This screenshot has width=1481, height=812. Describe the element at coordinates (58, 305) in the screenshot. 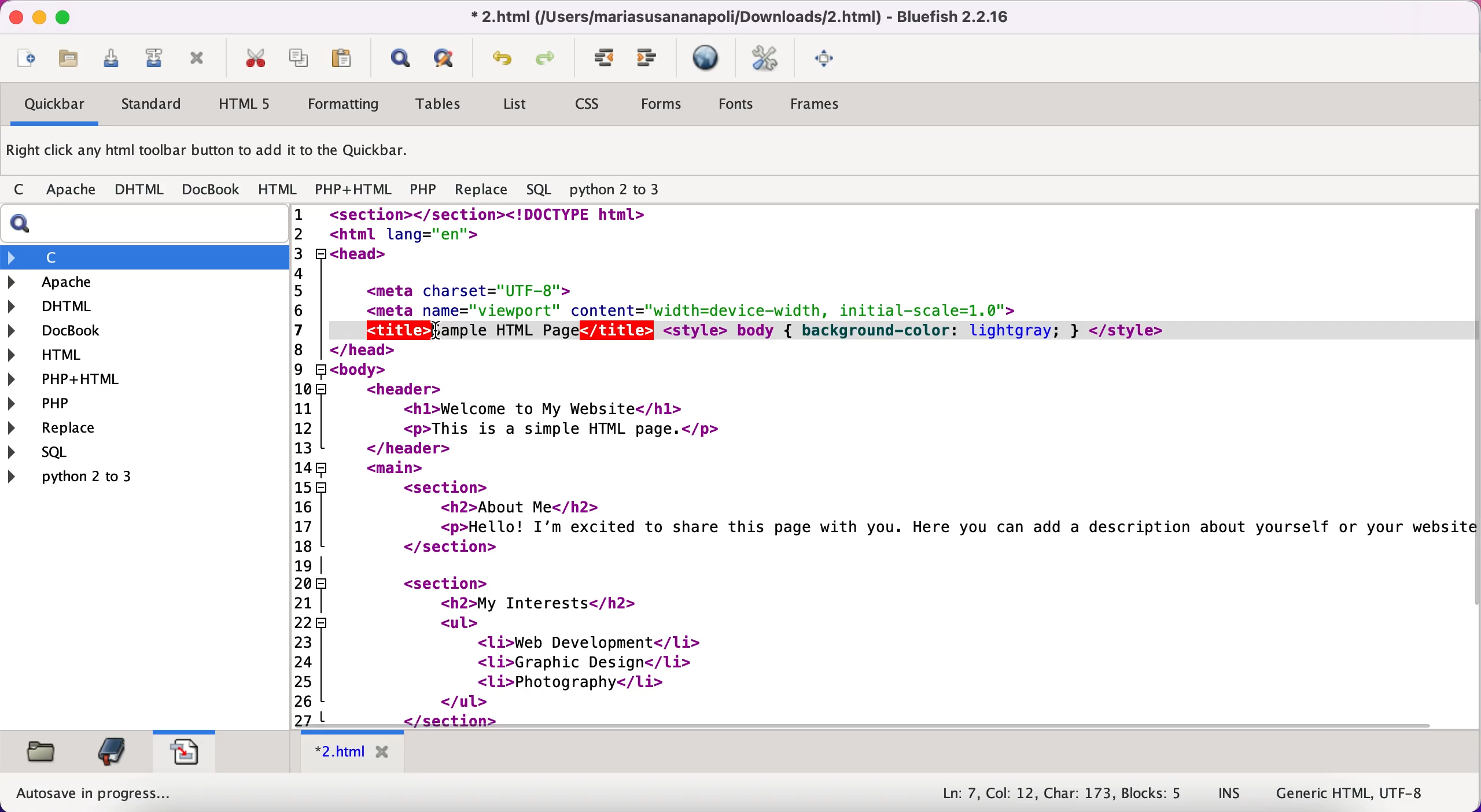

I see `dhtml` at that location.